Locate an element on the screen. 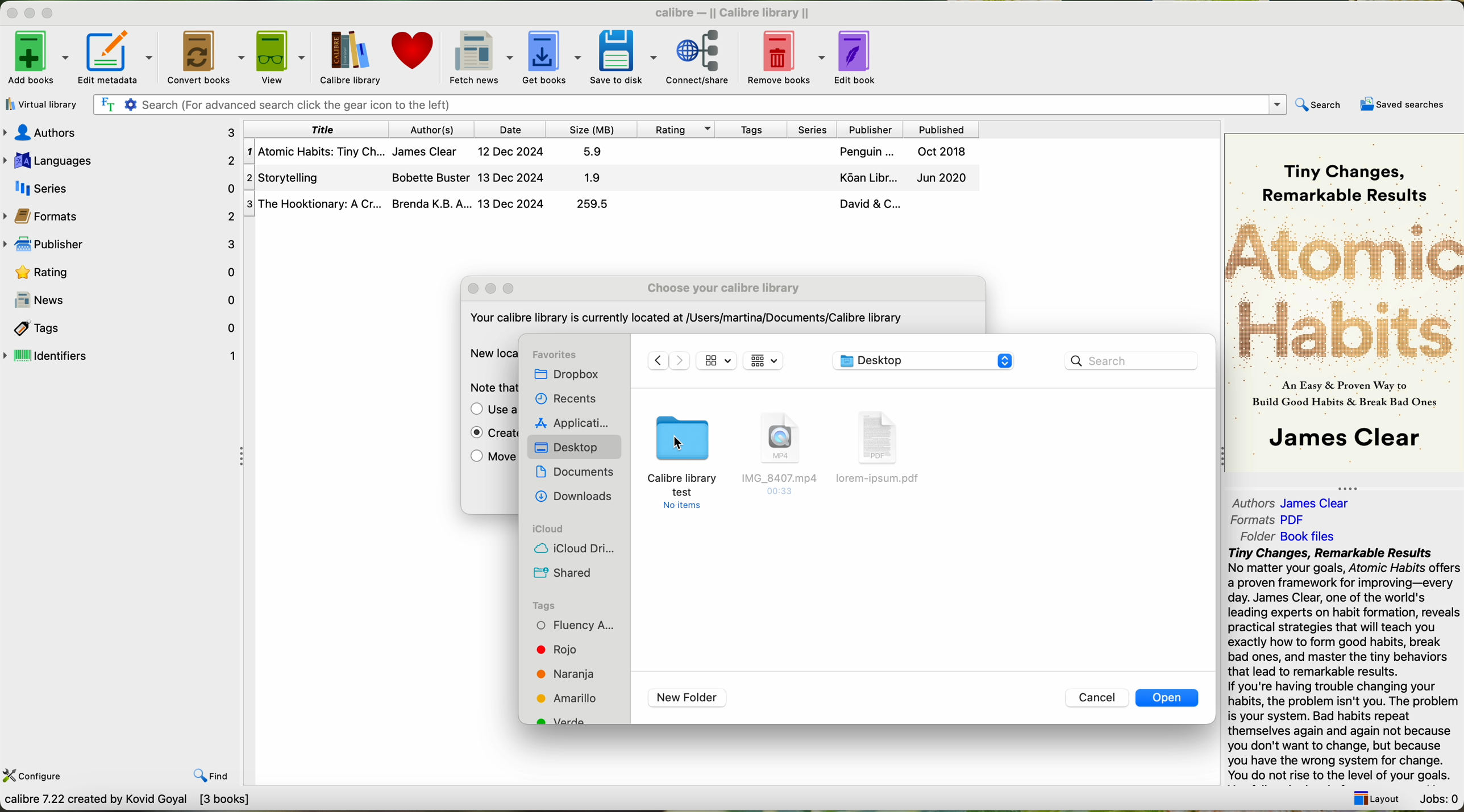 This screenshot has width=1464, height=812. rating is located at coordinates (122, 271).